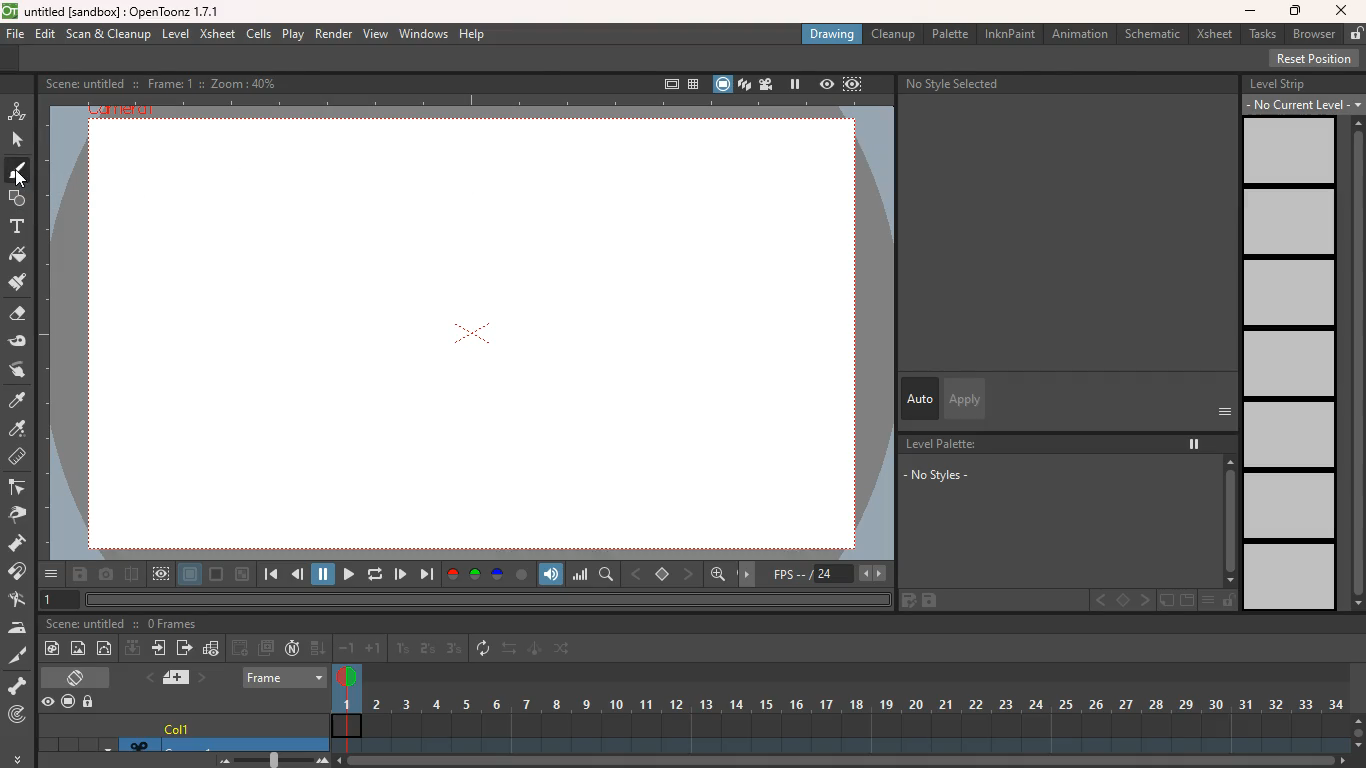  I want to click on screen, so click(721, 83).